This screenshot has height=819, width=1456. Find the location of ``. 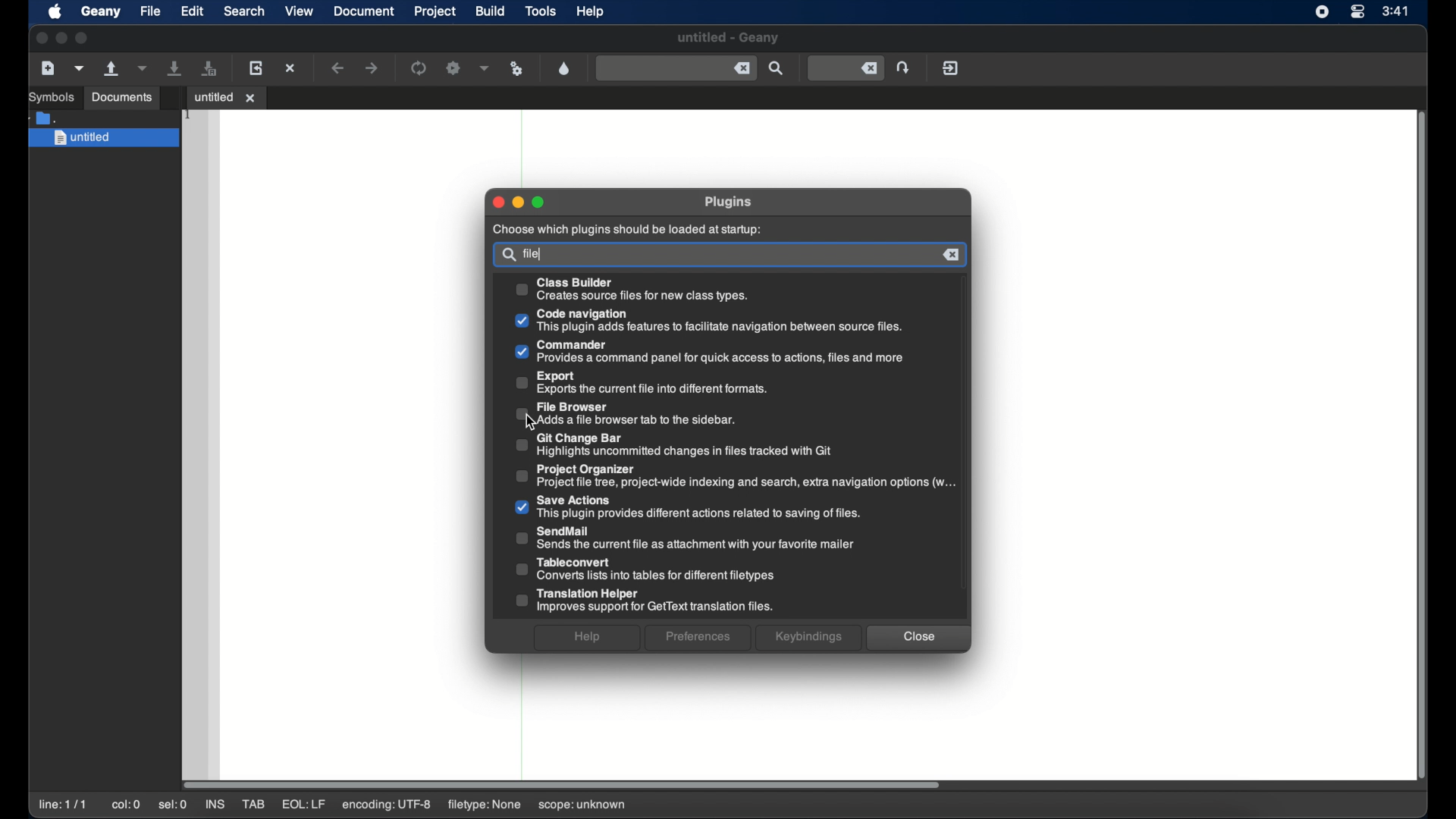

 is located at coordinates (918, 639).